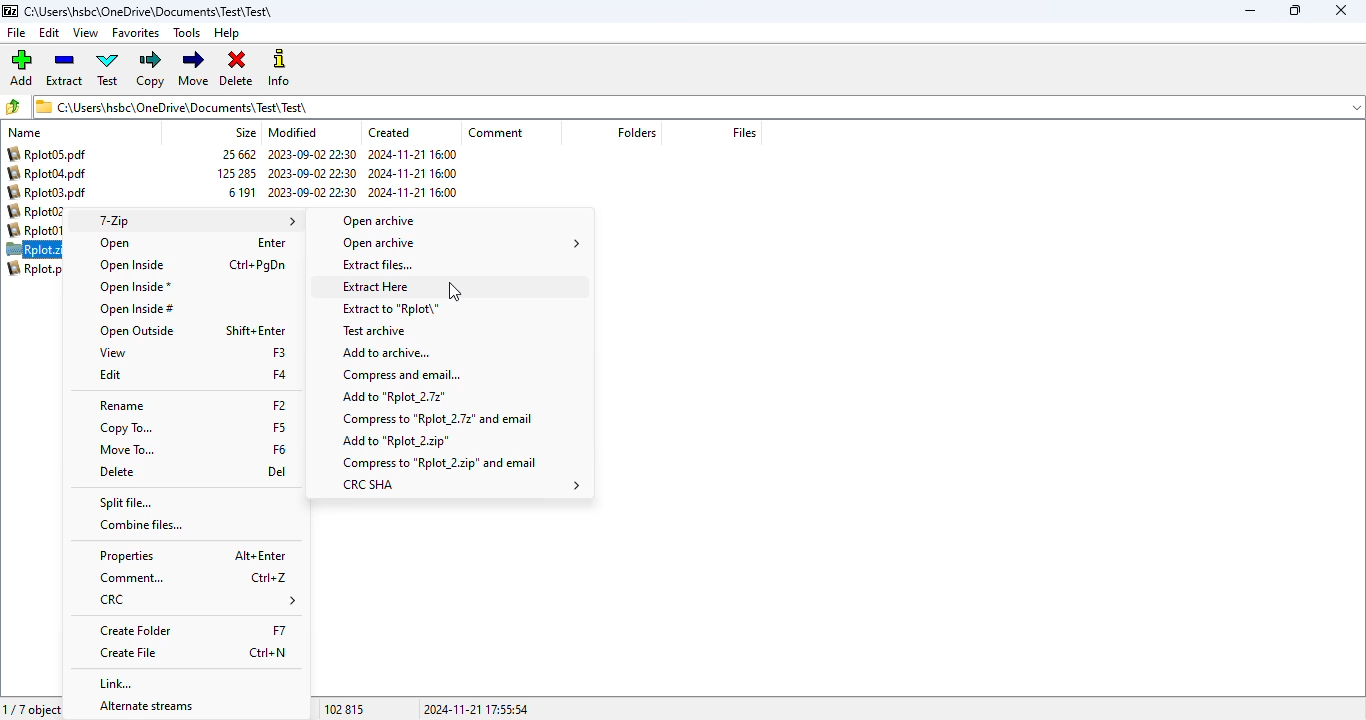 The height and width of the screenshot is (720, 1366). Describe the element at coordinates (150, 12) in the screenshot. I see `C:\Users\hsbc\OneDrive\Documents\Test\Test\` at that location.